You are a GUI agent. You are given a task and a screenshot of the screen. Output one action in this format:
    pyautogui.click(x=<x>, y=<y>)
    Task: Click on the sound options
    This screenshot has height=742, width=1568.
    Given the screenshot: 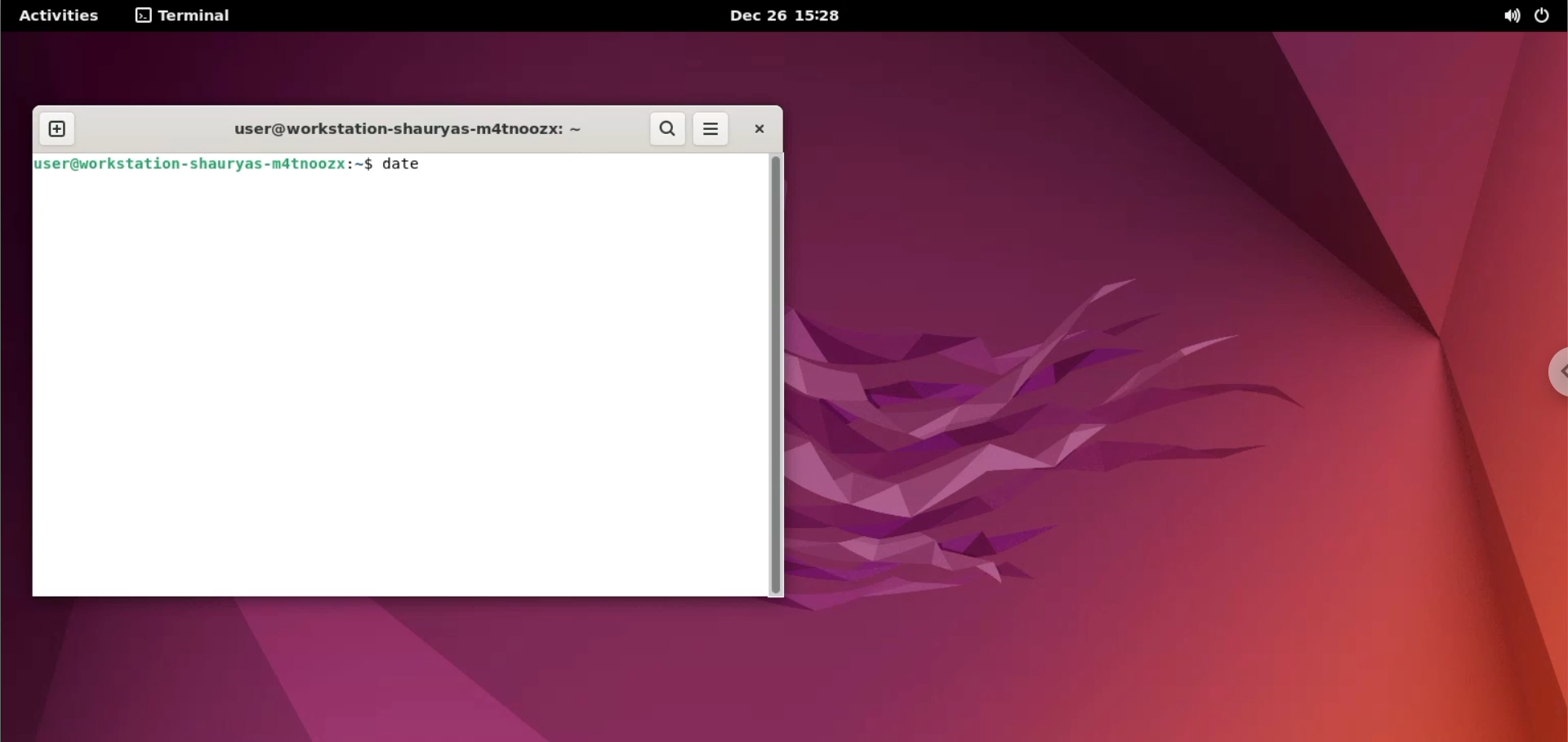 What is the action you would take?
    pyautogui.click(x=1512, y=17)
    